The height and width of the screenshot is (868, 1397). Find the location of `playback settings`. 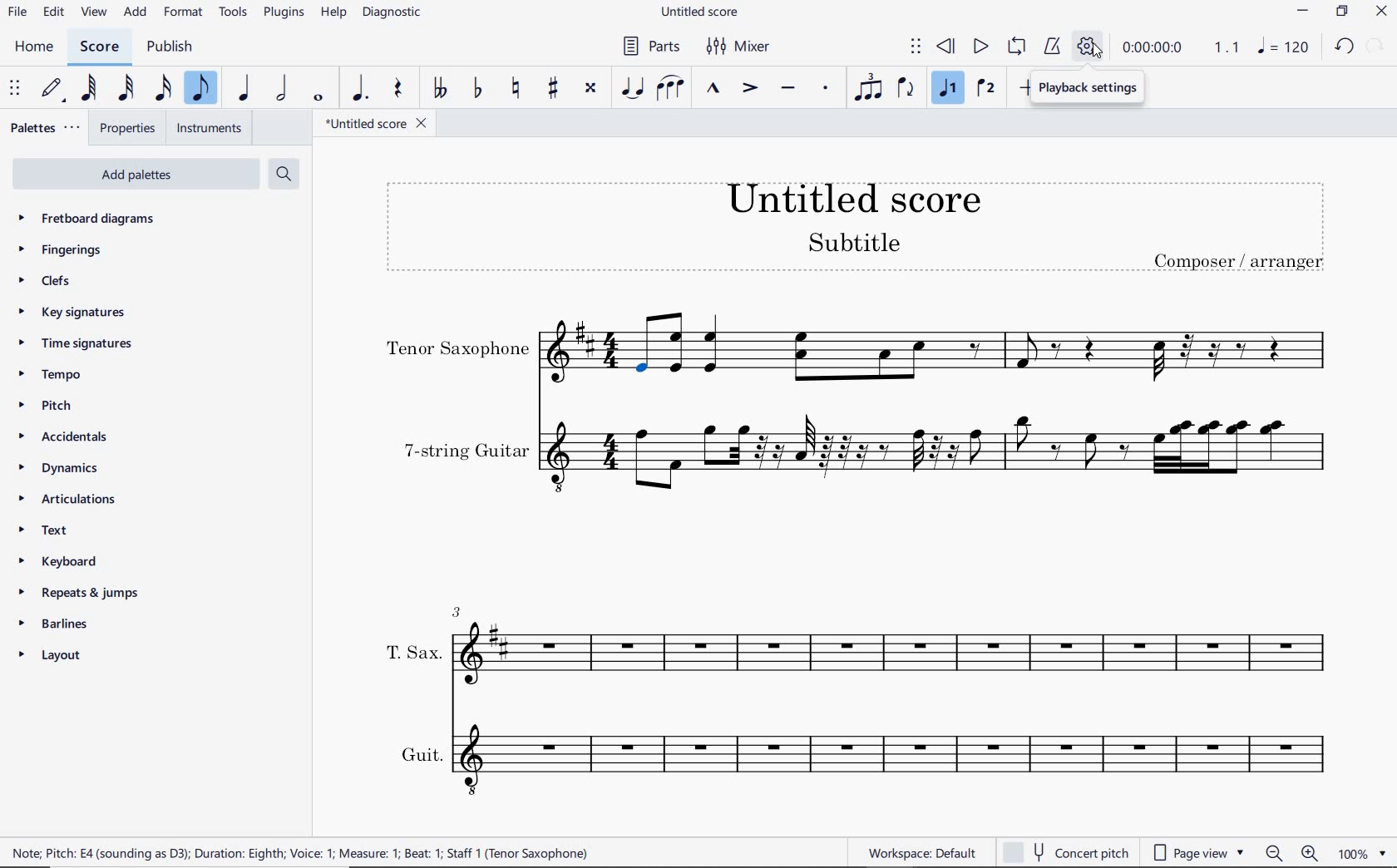

playback settings is located at coordinates (1091, 89).